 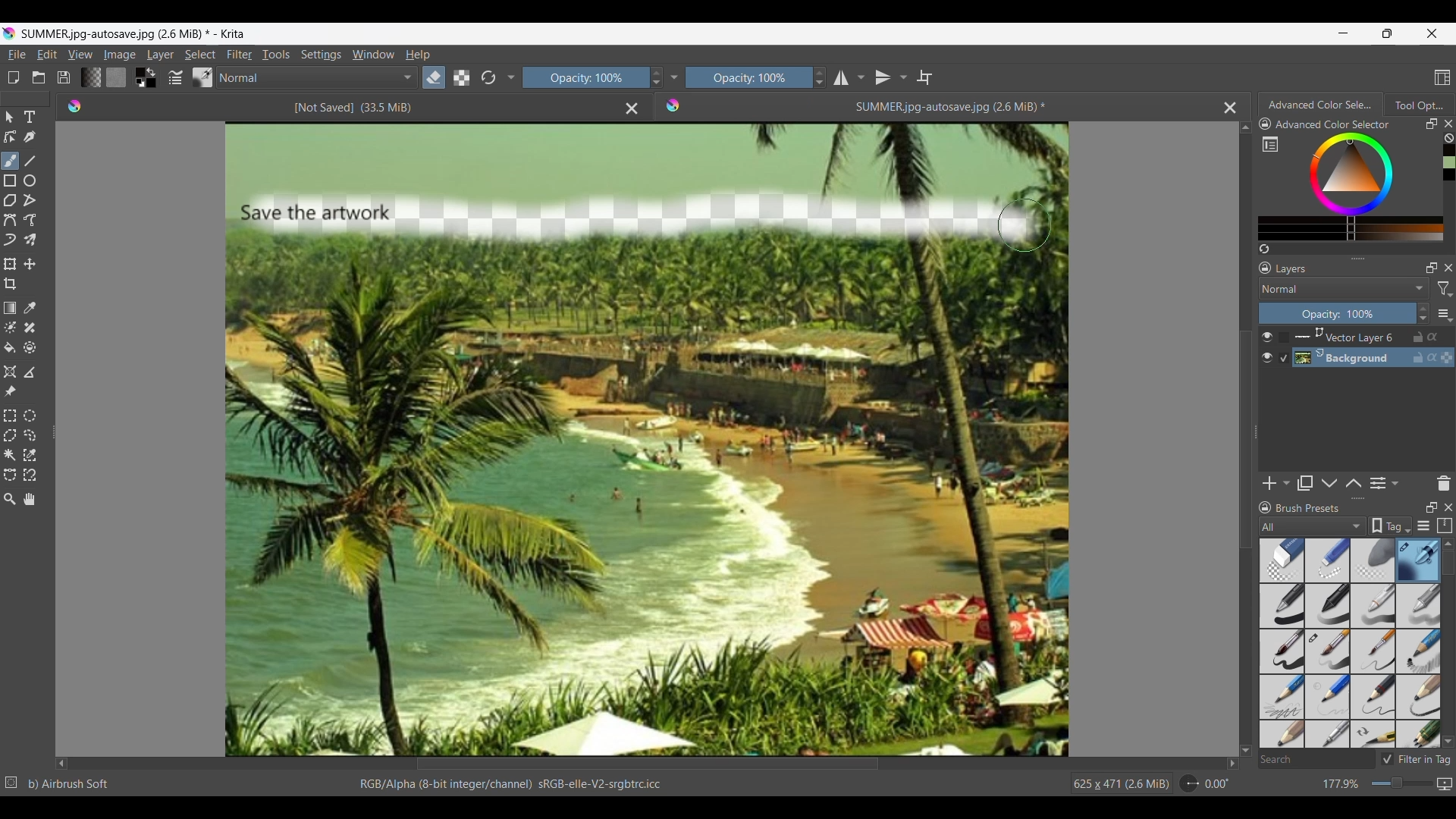 I want to click on Wrap around mode, so click(x=924, y=77).